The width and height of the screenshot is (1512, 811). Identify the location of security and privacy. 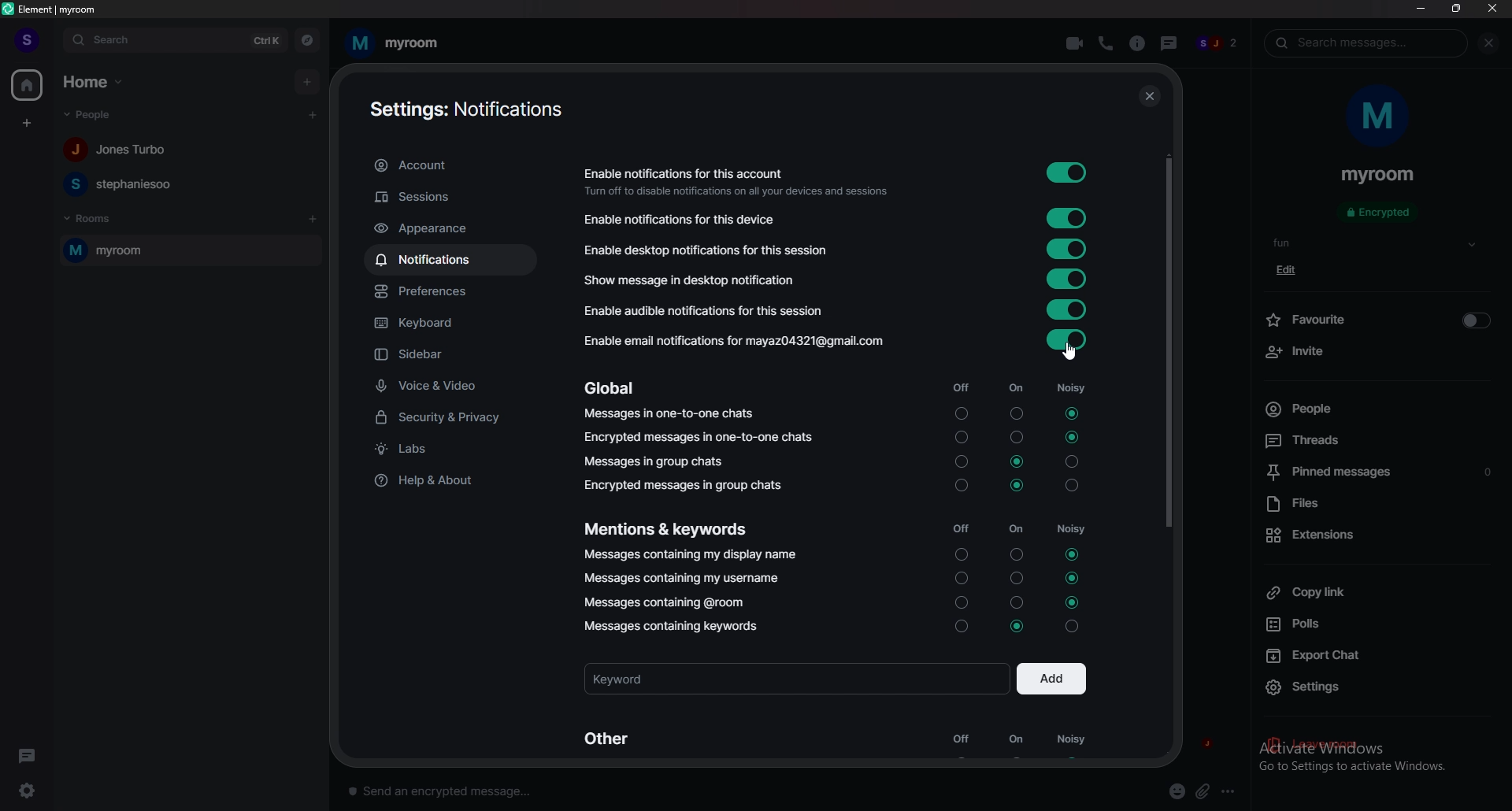
(450, 419).